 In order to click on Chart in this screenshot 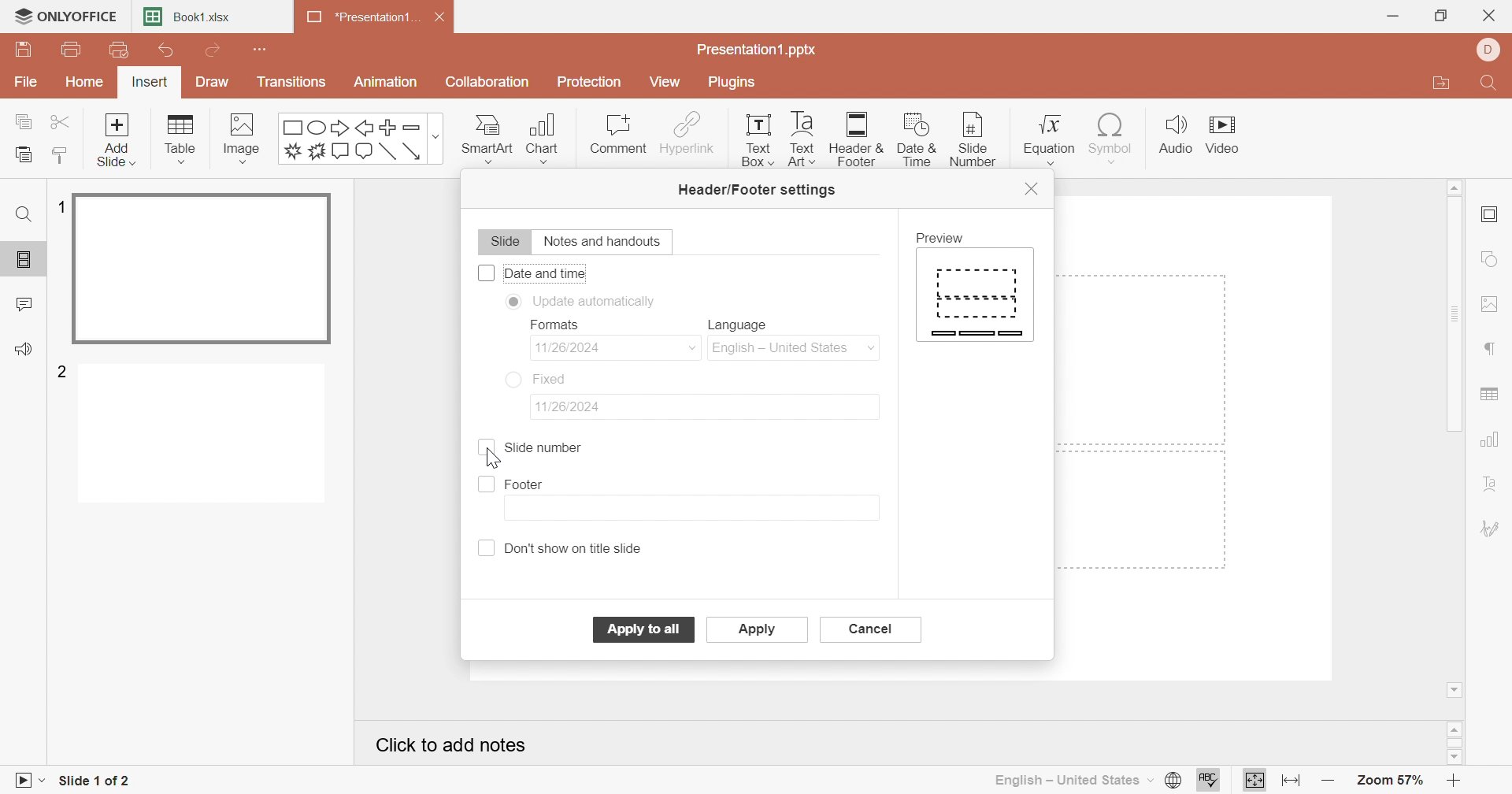, I will do `click(549, 139)`.